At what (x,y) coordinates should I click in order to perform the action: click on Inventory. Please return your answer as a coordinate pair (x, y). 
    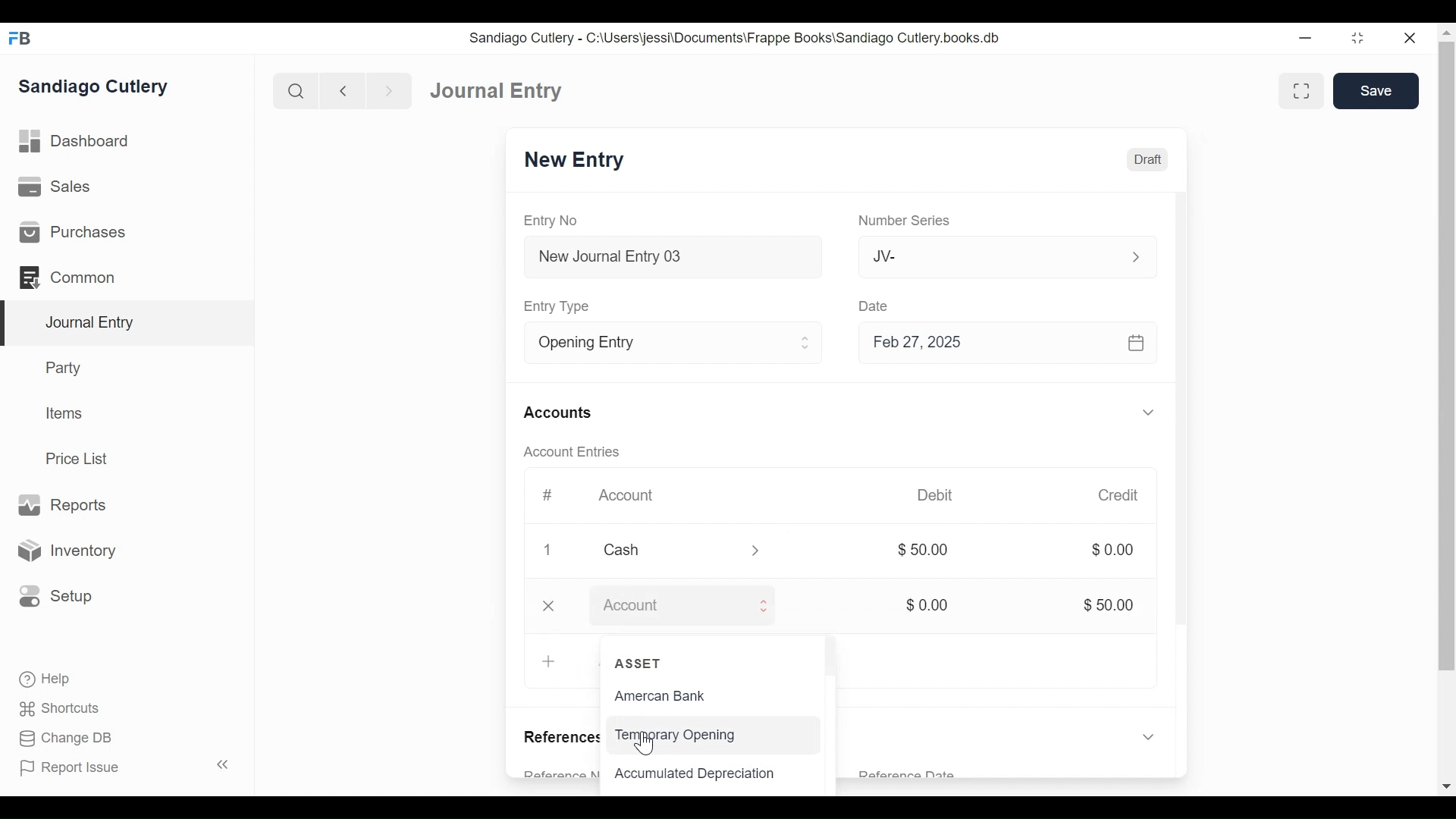
    Looking at the image, I should click on (65, 550).